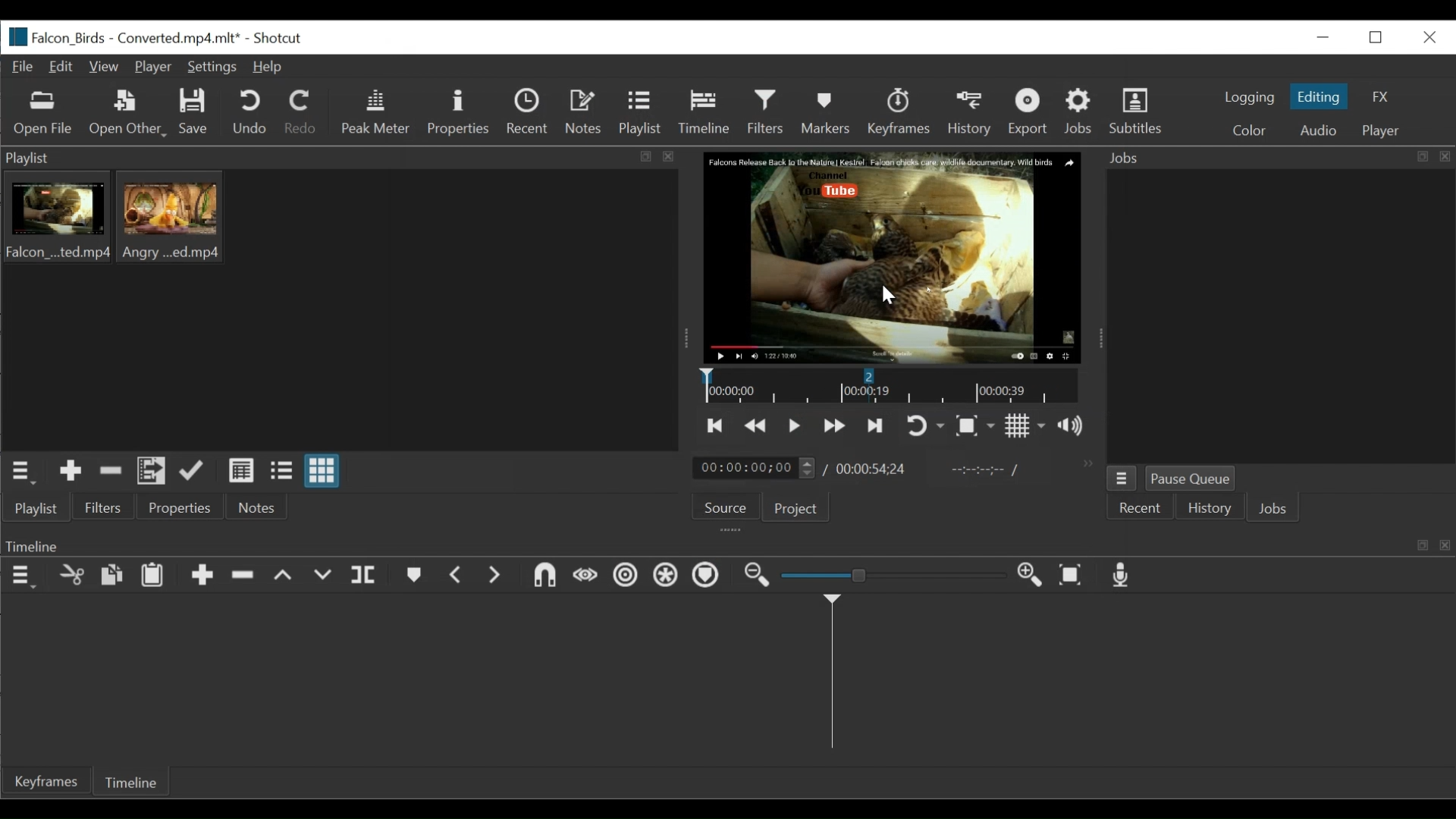 The image size is (1456, 819). Describe the element at coordinates (71, 576) in the screenshot. I see `Cut` at that location.